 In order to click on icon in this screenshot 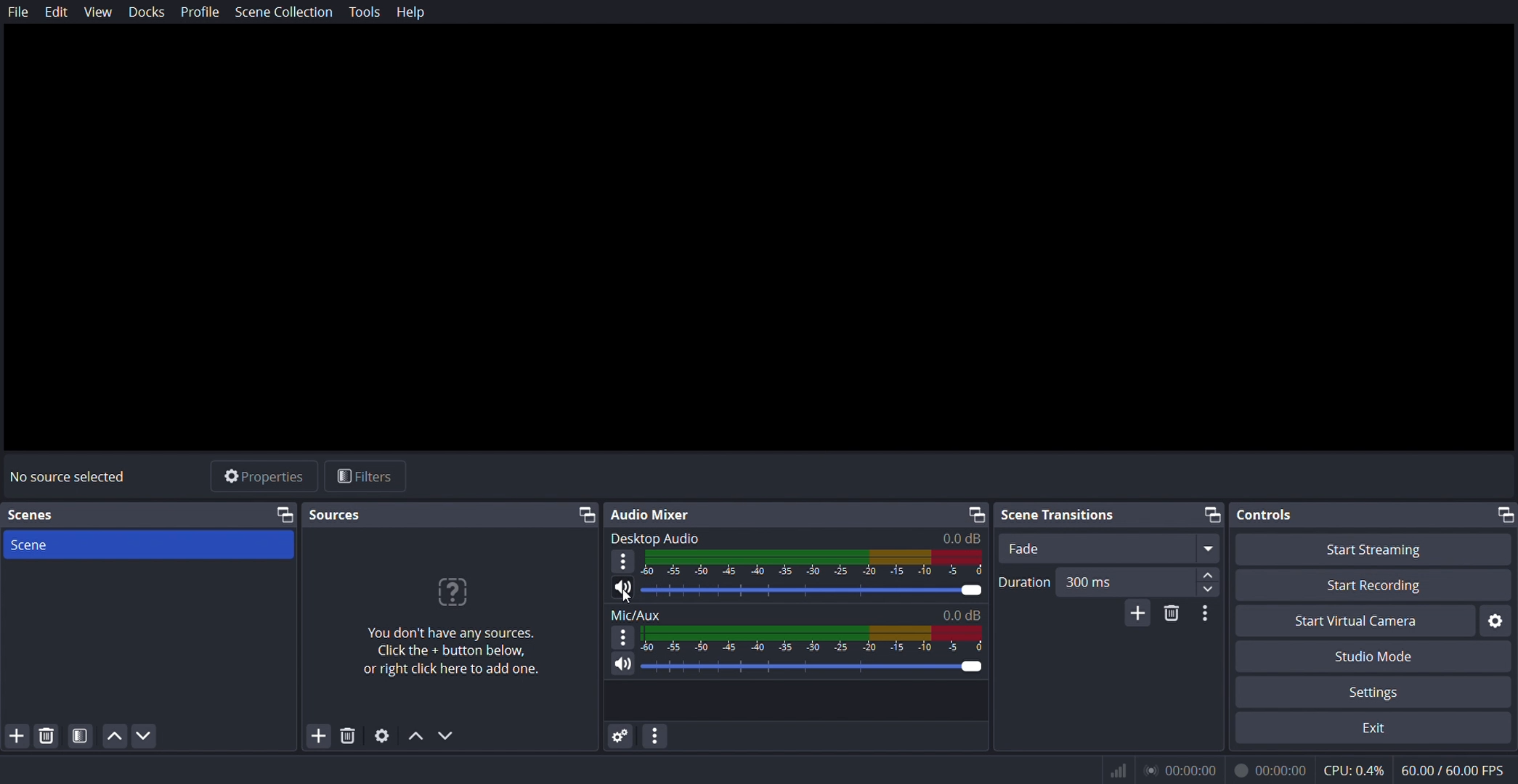, I will do `click(1118, 773)`.